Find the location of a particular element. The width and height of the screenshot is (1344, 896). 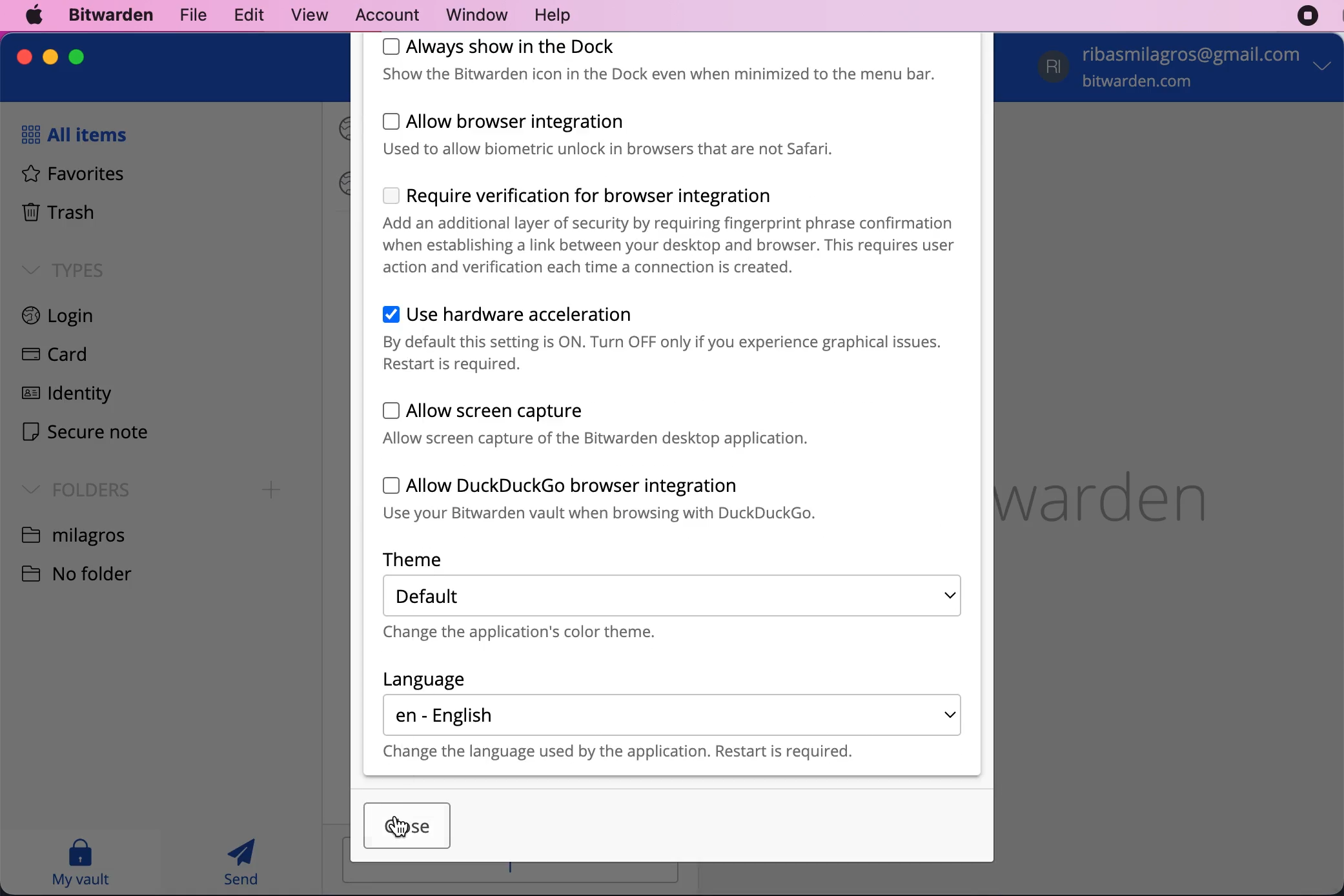

folders is located at coordinates (72, 488).